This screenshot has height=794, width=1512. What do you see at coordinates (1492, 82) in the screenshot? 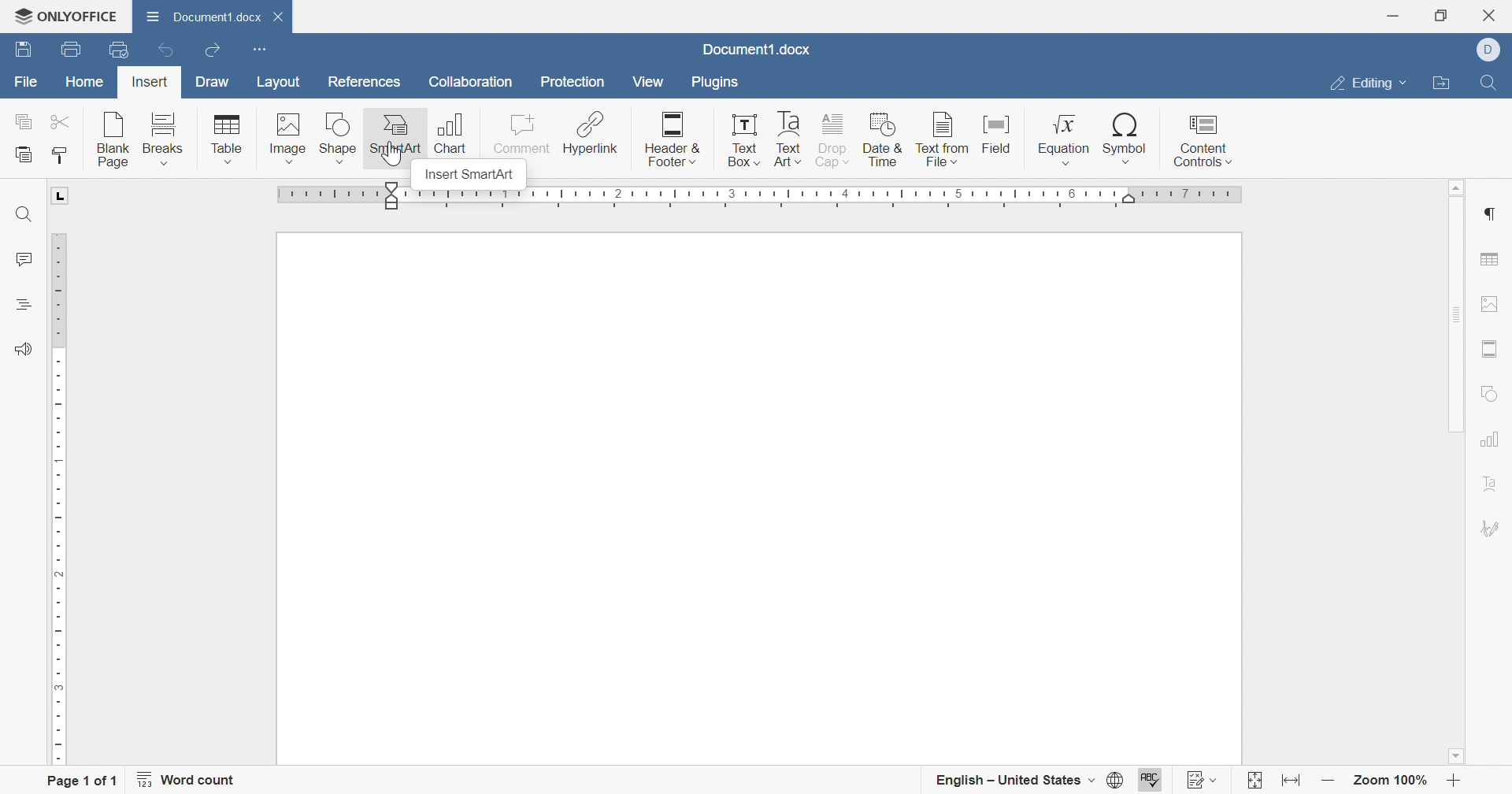
I see `Find` at bounding box center [1492, 82].